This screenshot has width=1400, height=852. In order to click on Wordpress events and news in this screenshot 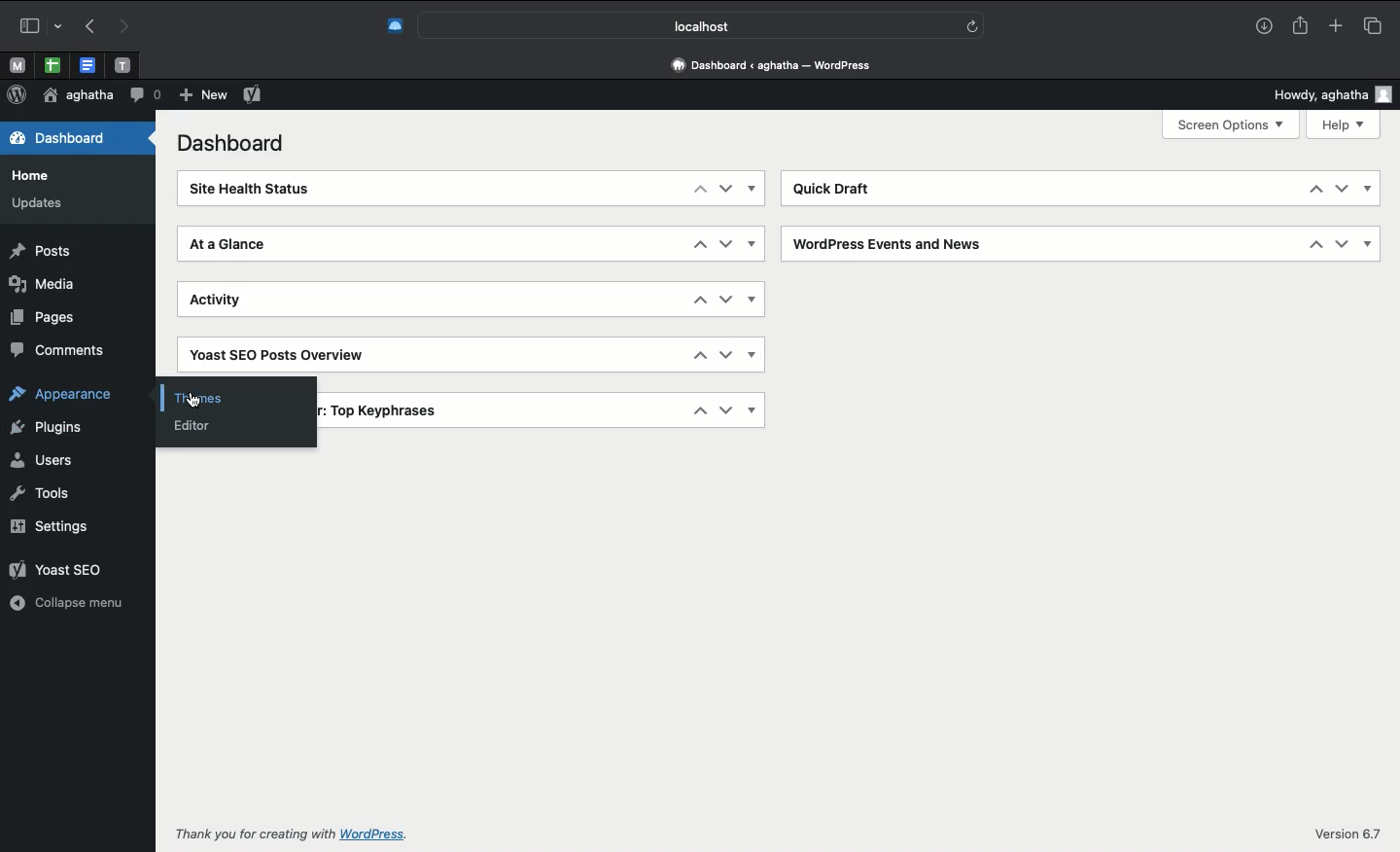, I will do `click(892, 241)`.